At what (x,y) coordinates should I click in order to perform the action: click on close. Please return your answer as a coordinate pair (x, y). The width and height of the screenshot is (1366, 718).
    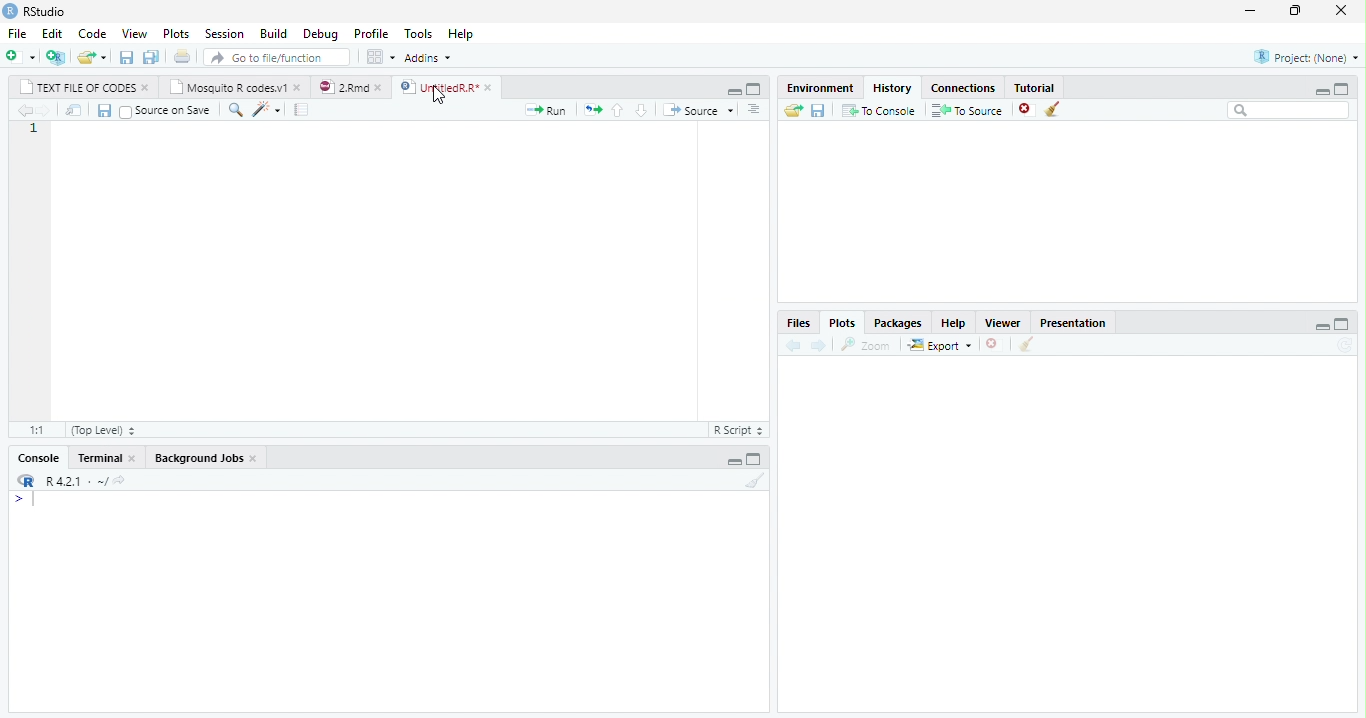
    Looking at the image, I should click on (254, 459).